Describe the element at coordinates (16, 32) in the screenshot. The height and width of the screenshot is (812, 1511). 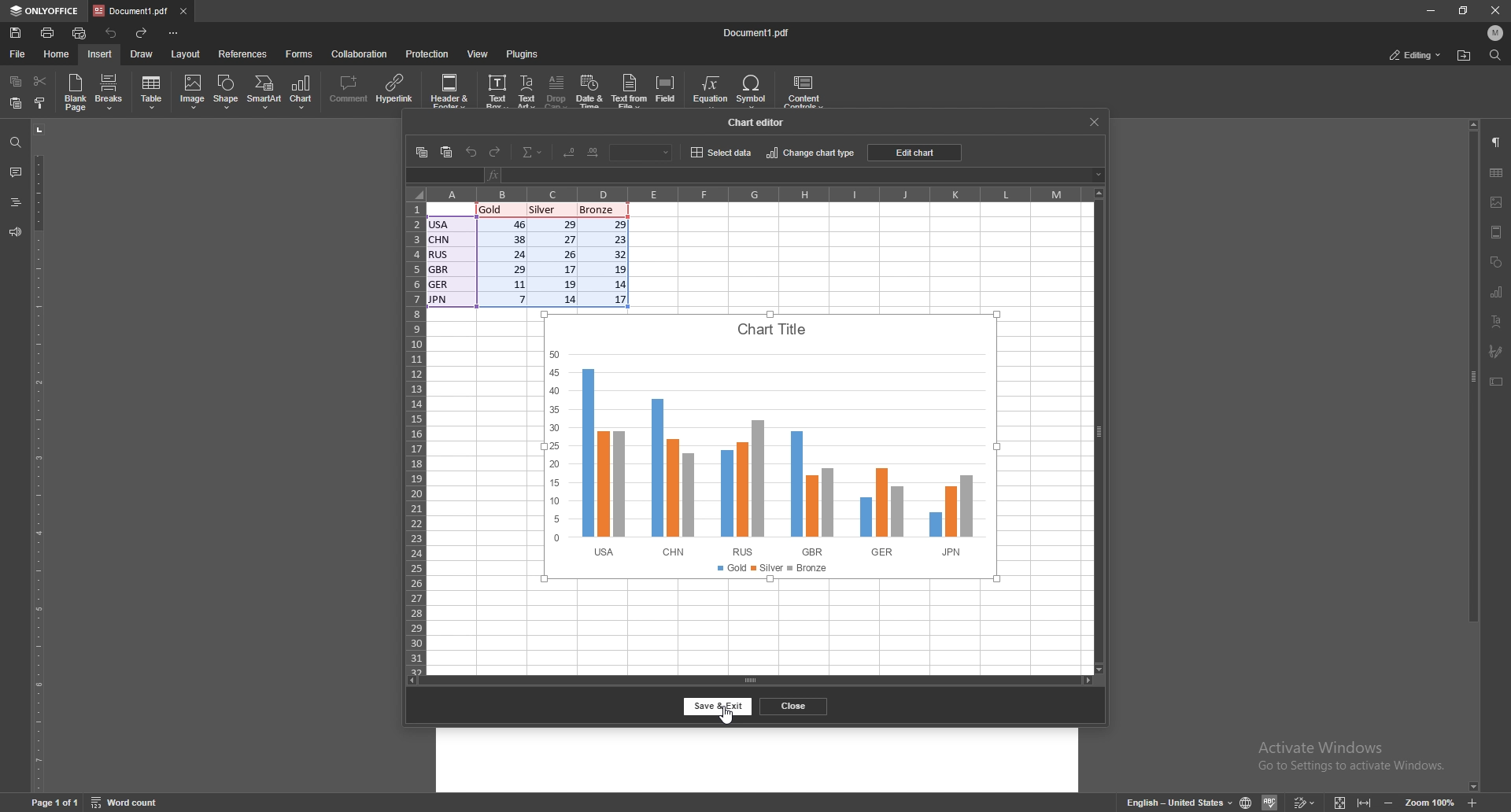
I see `save` at that location.